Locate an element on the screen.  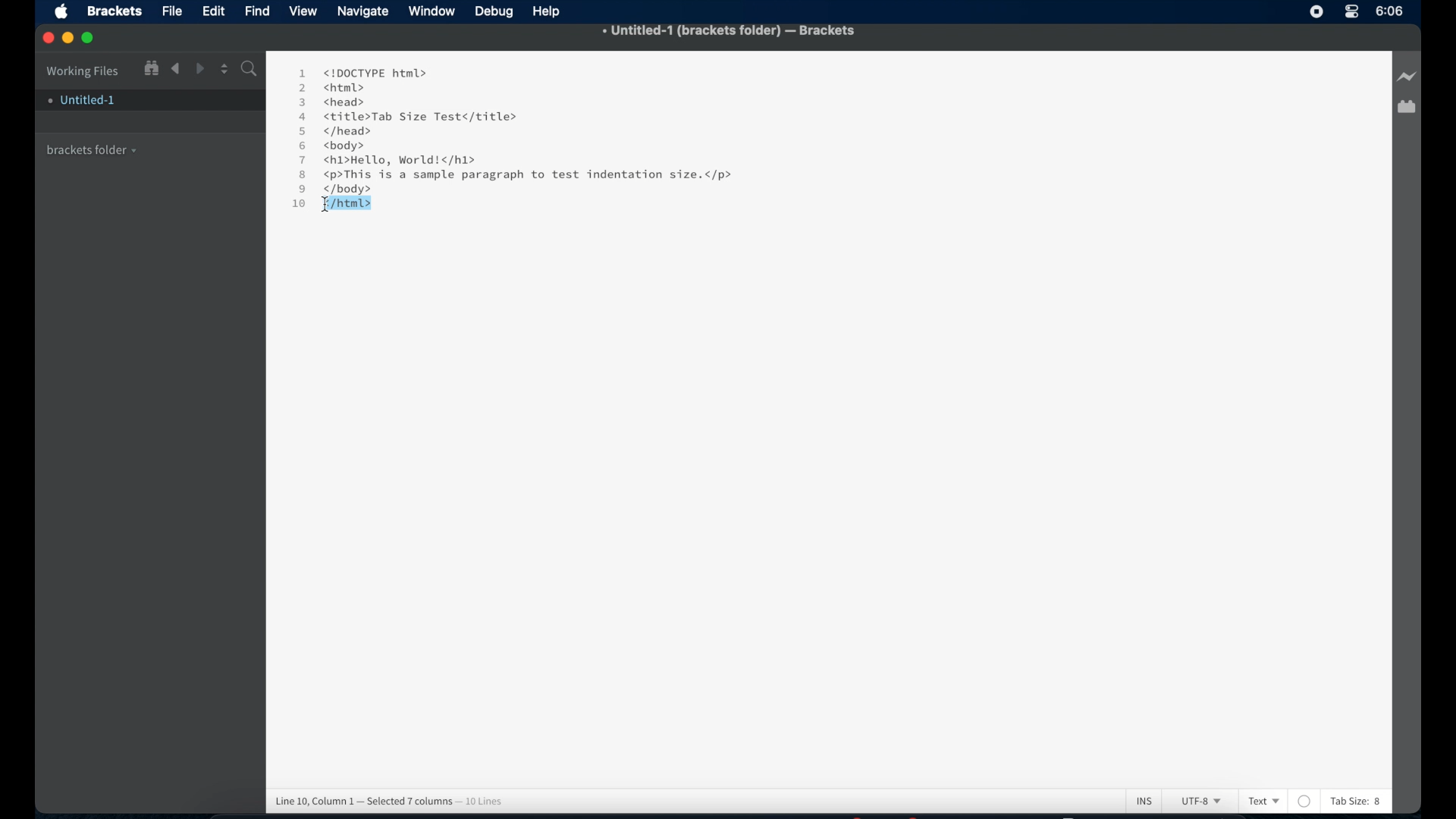
10 </html> is located at coordinates (327, 206).